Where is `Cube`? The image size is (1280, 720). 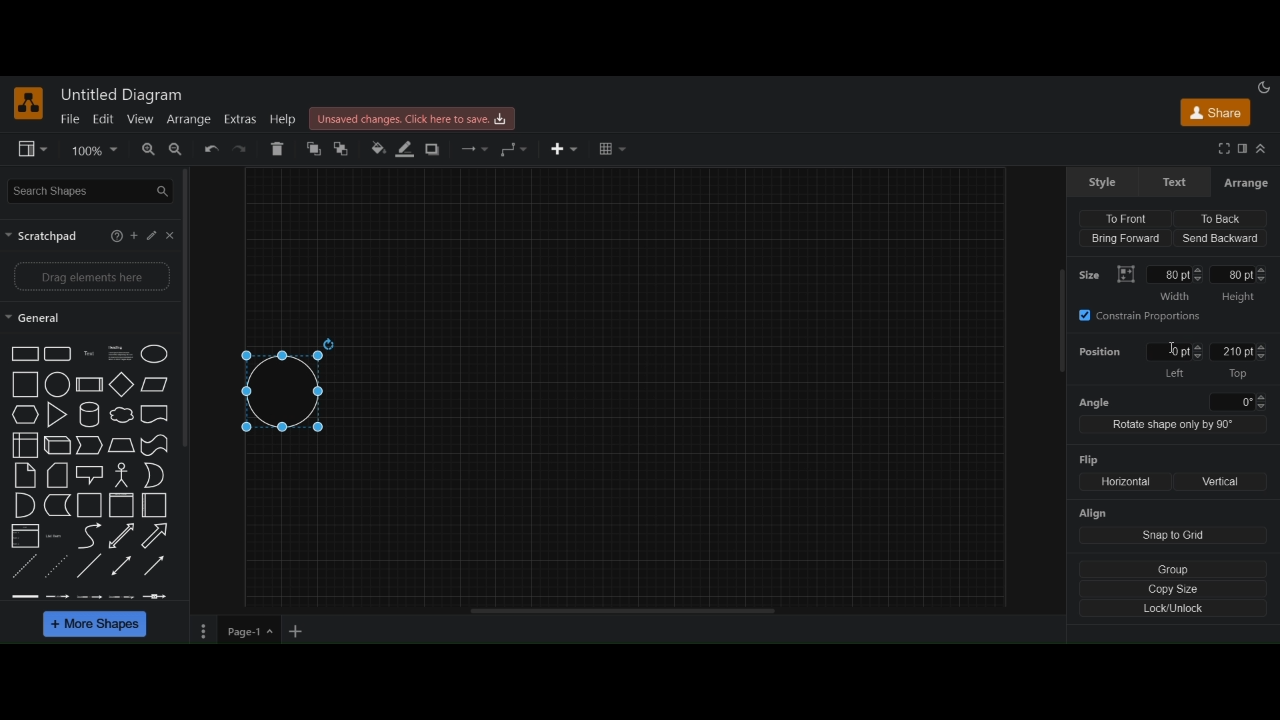 Cube is located at coordinates (89, 384).